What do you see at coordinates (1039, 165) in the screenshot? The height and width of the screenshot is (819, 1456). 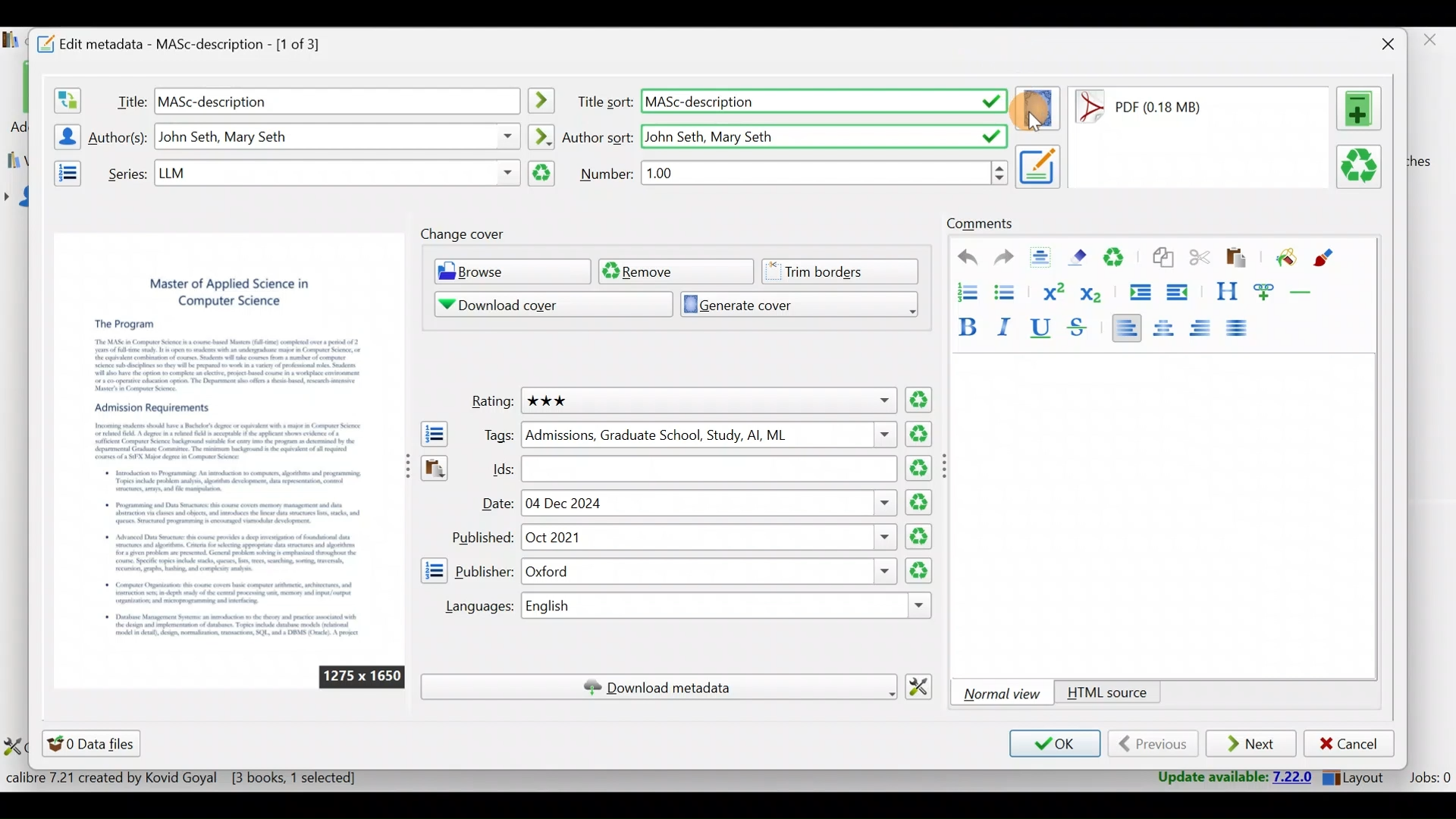 I see `` at bounding box center [1039, 165].